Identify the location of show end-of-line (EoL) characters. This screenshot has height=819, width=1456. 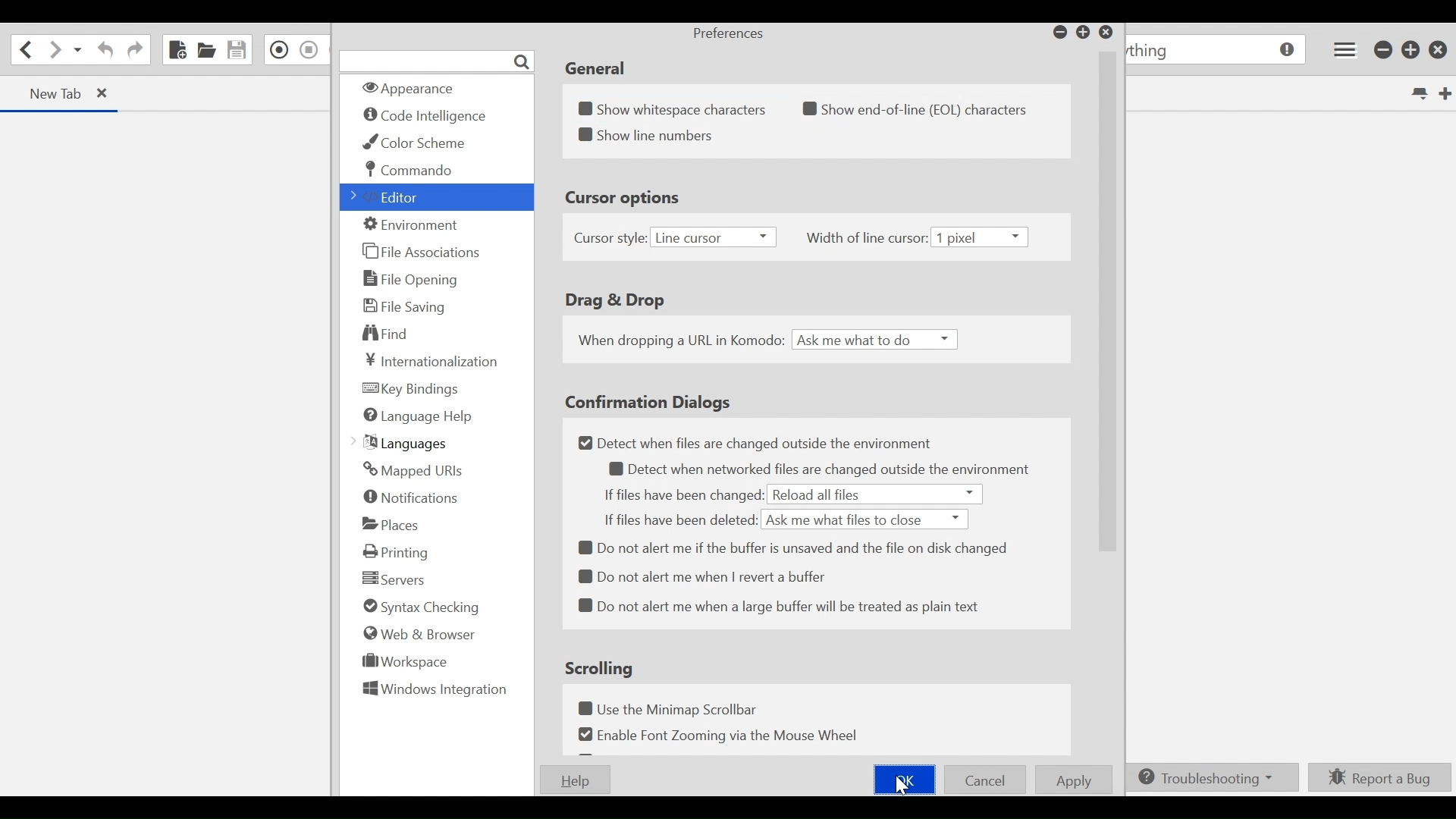
(923, 109).